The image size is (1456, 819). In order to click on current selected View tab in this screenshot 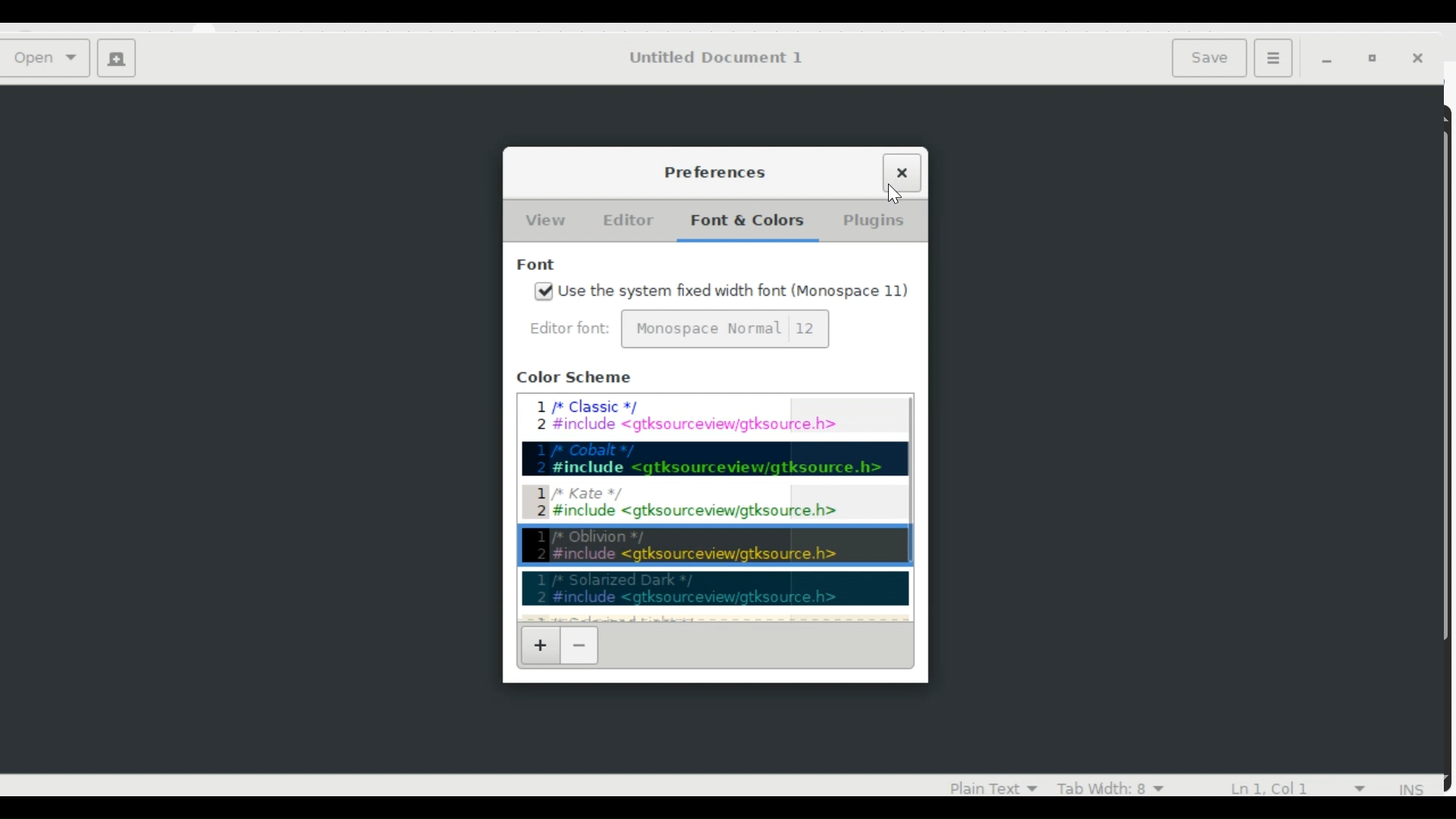, I will do `click(544, 220)`.